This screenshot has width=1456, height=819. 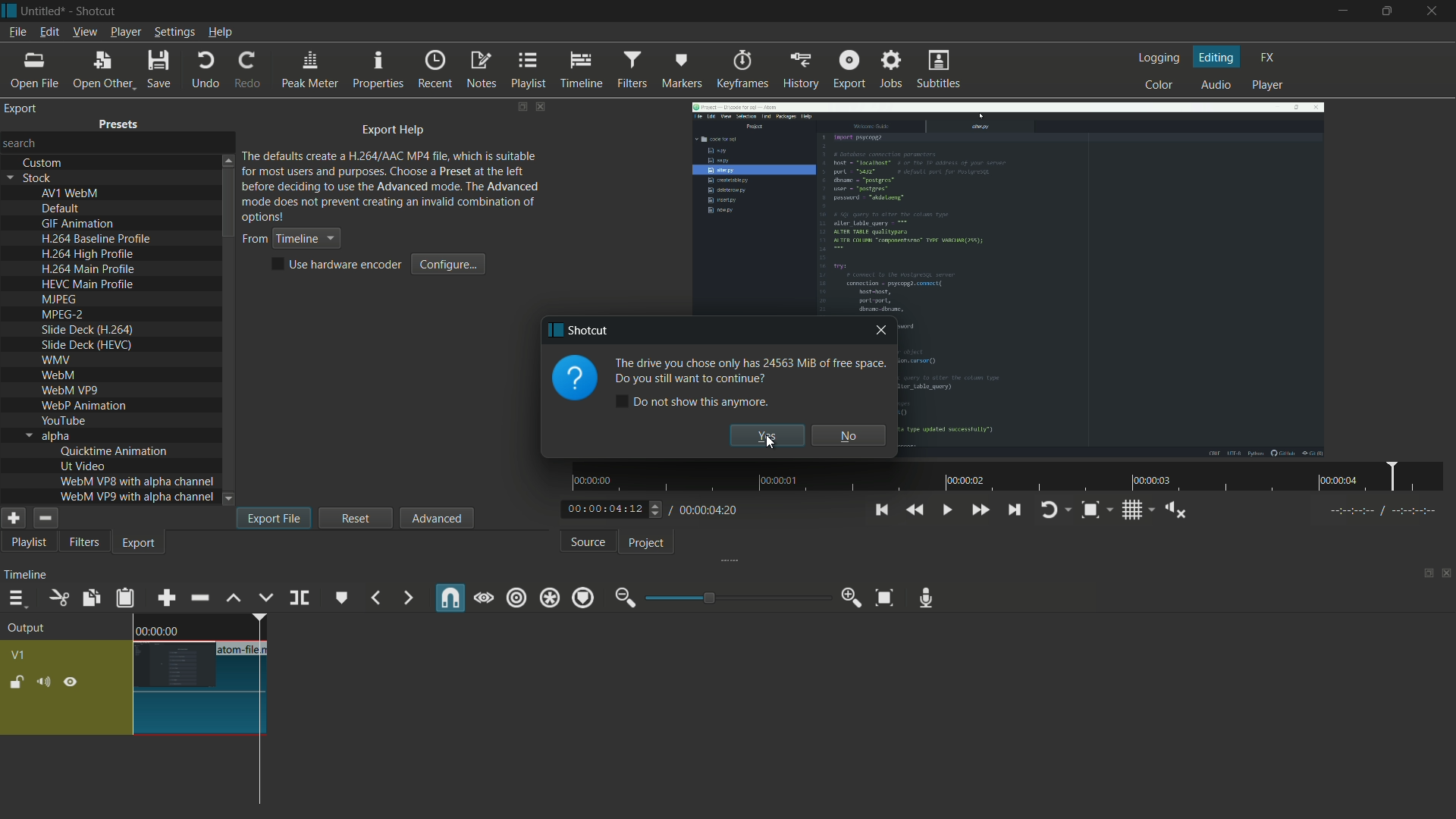 What do you see at coordinates (127, 600) in the screenshot?
I see `paste` at bounding box center [127, 600].